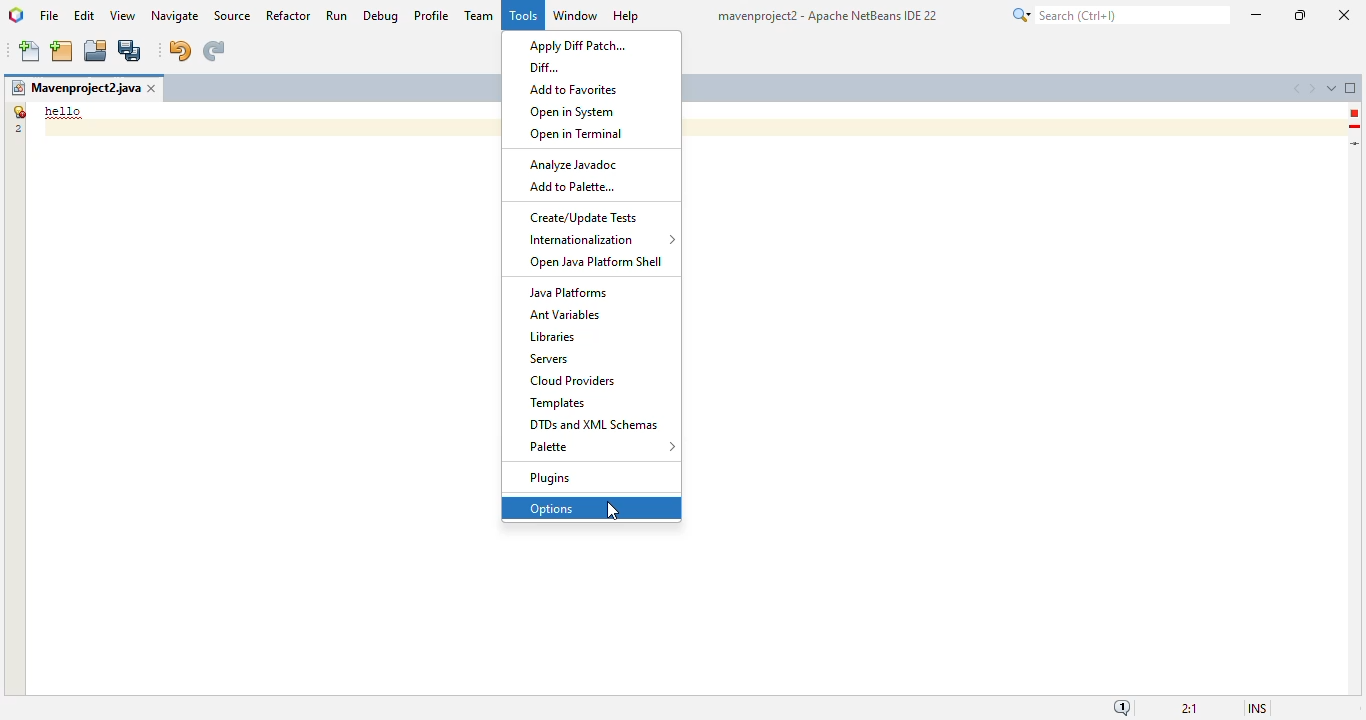 The width and height of the screenshot is (1366, 720). What do you see at coordinates (17, 15) in the screenshot?
I see `logo` at bounding box center [17, 15].